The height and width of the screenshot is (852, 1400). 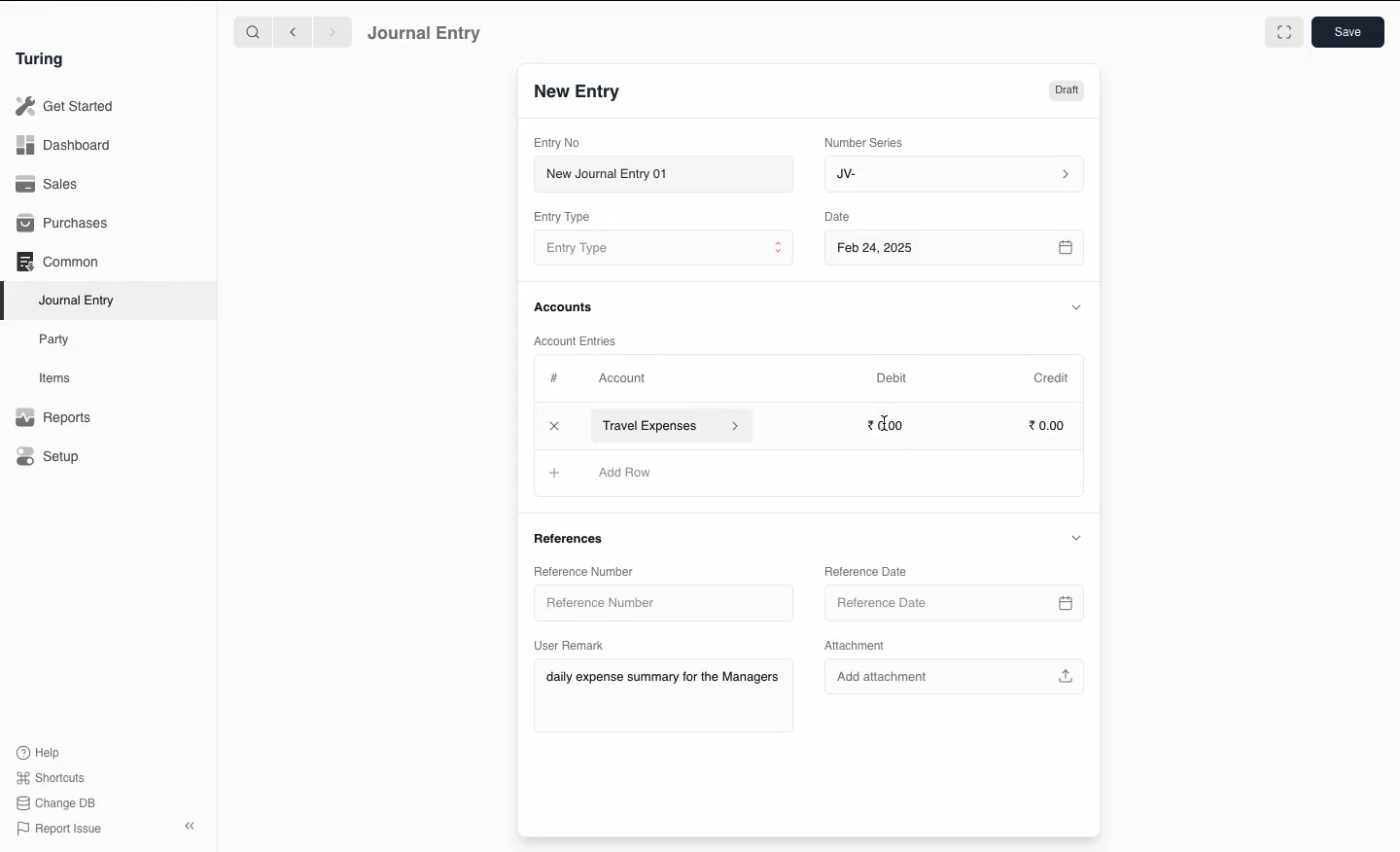 What do you see at coordinates (1348, 32) in the screenshot?
I see `Save` at bounding box center [1348, 32].